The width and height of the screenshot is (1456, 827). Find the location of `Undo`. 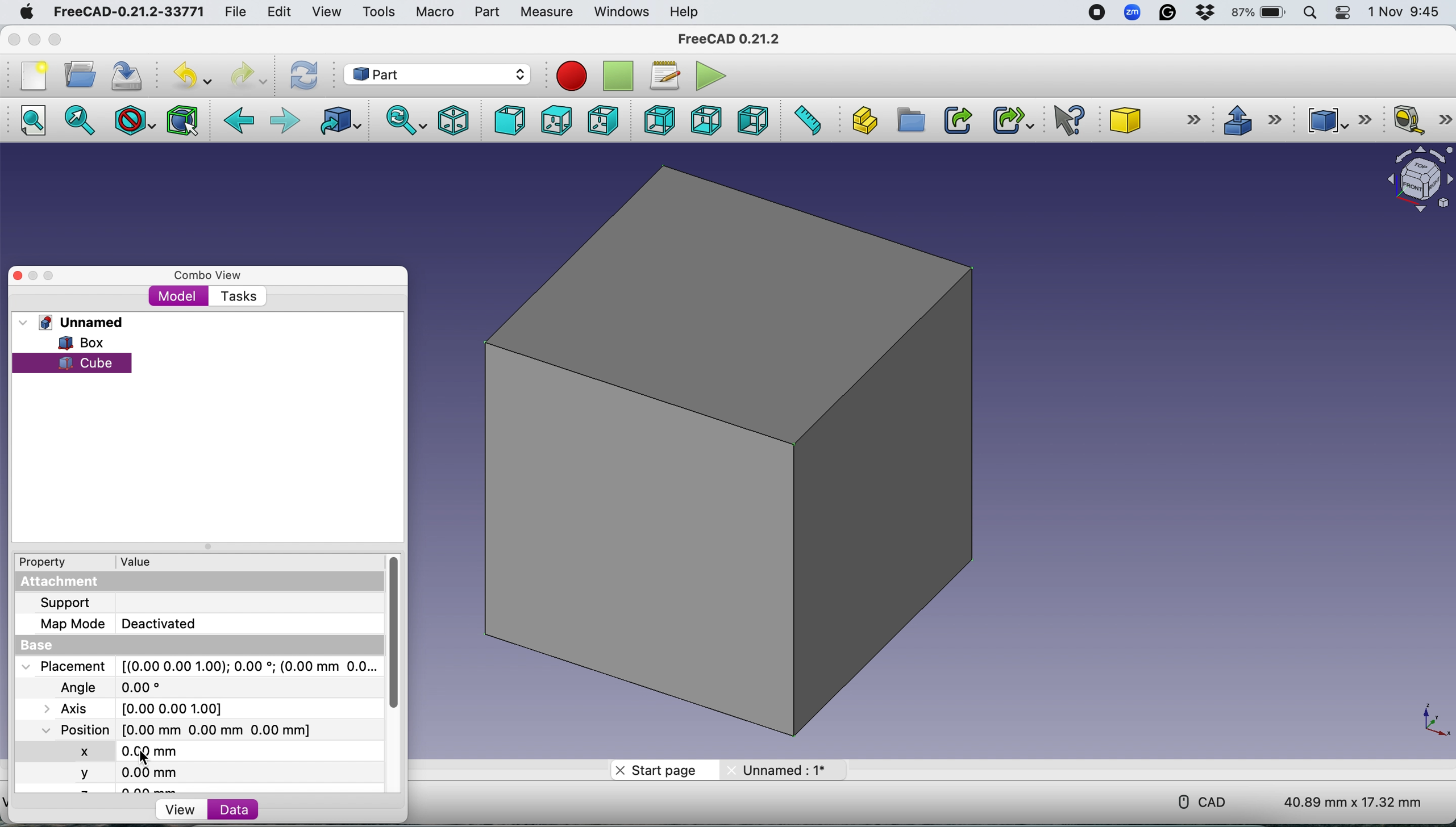

Undo is located at coordinates (195, 76).